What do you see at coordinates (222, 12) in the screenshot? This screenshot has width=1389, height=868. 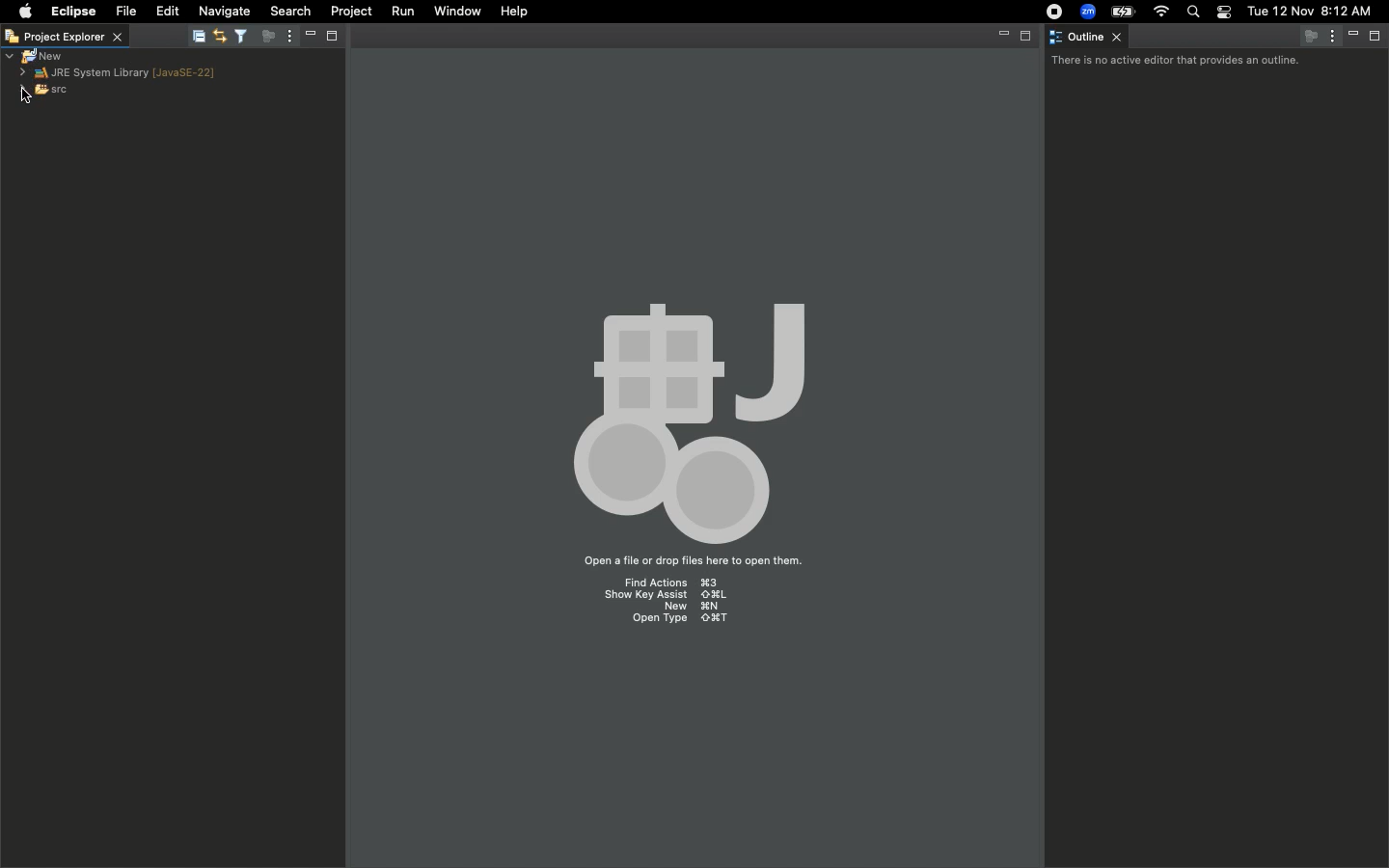 I see `Navigate` at bounding box center [222, 12].